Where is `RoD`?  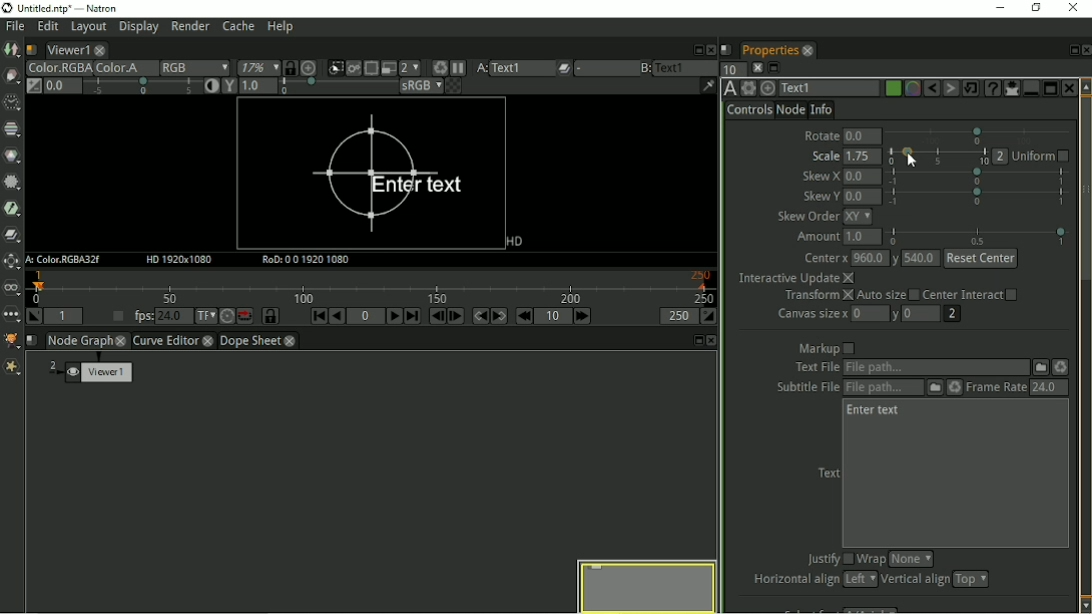 RoD is located at coordinates (303, 259).